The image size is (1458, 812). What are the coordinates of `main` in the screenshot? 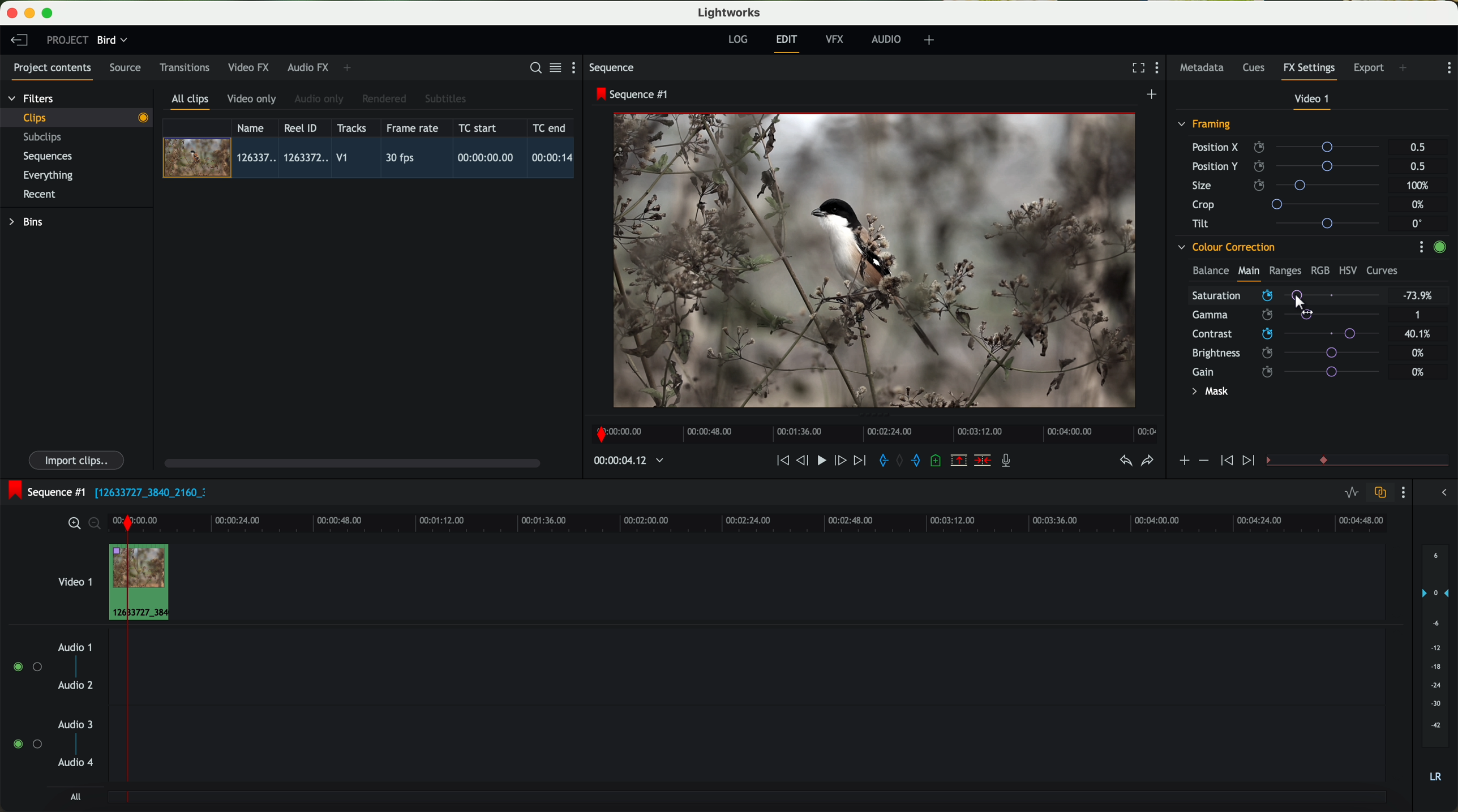 It's located at (1249, 273).